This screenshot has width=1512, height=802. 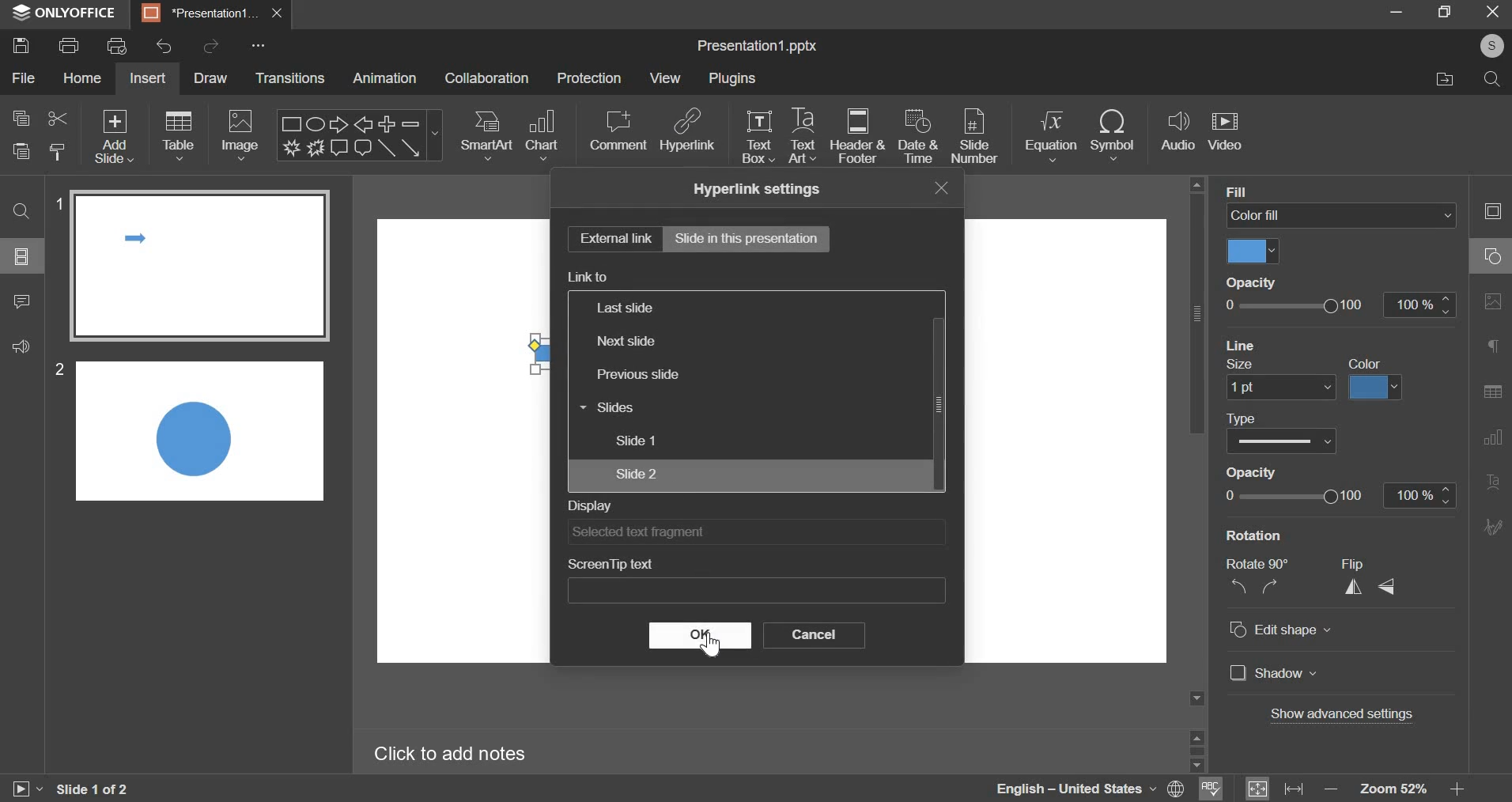 What do you see at coordinates (815, 635) in the screenshot?
I see `cancel` at bounding box center [815, 635].